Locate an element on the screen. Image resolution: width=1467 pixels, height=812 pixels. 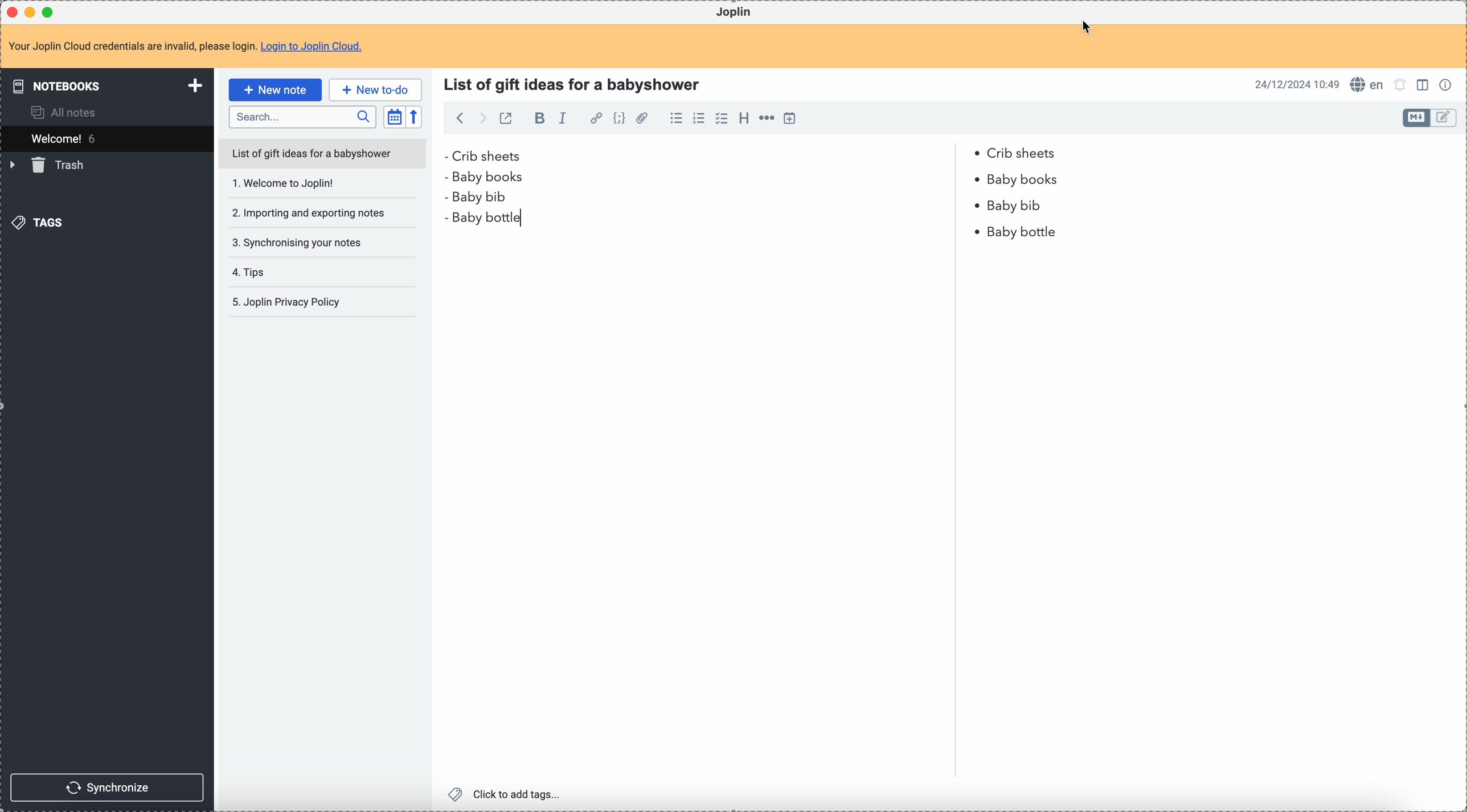
click to add tags is located at coordinates (505, 794).